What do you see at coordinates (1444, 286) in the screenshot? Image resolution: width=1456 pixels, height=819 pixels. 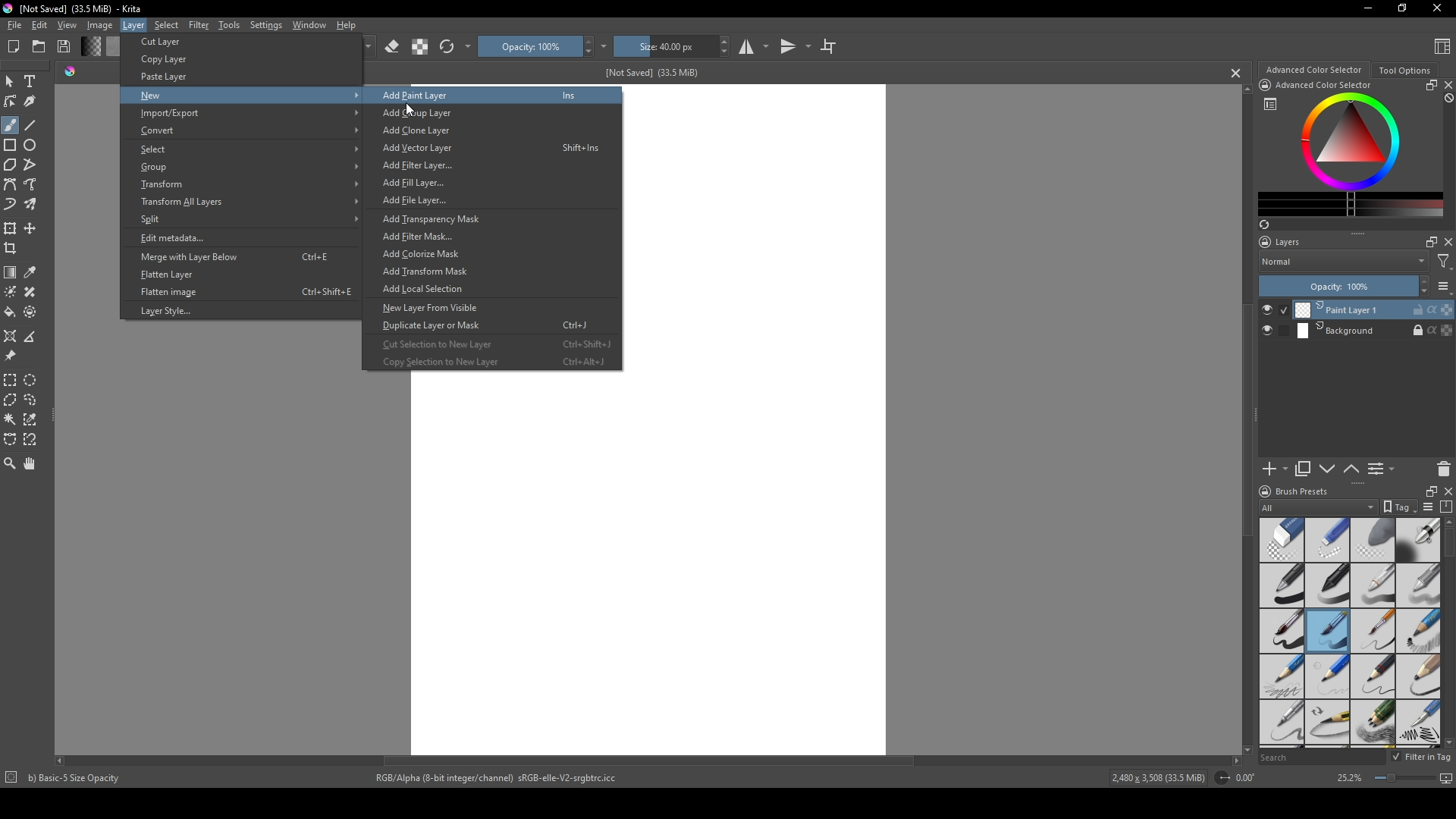 I see `list` at bounding box center [1444, 286].